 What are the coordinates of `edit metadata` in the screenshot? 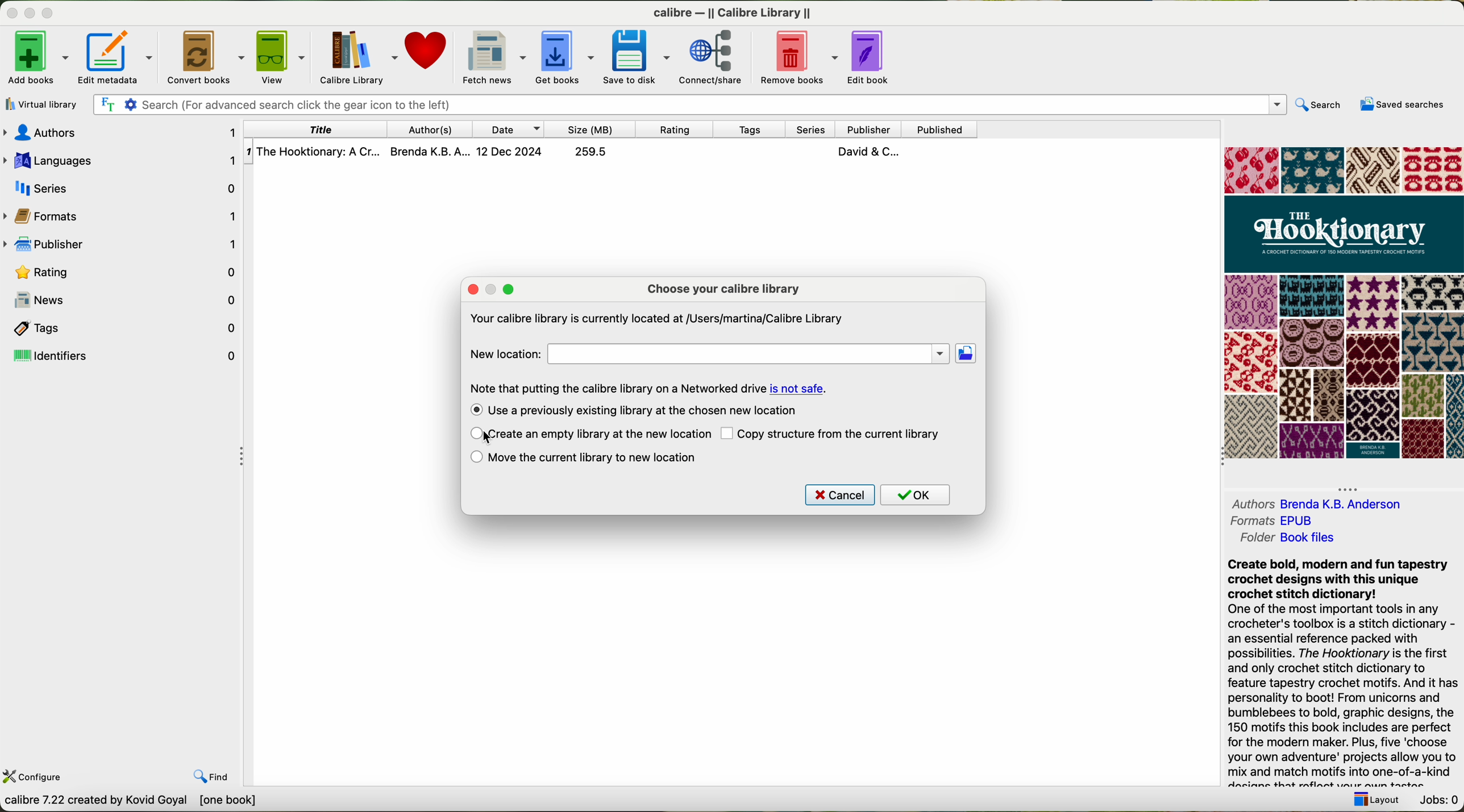 It's located at (116, 57).